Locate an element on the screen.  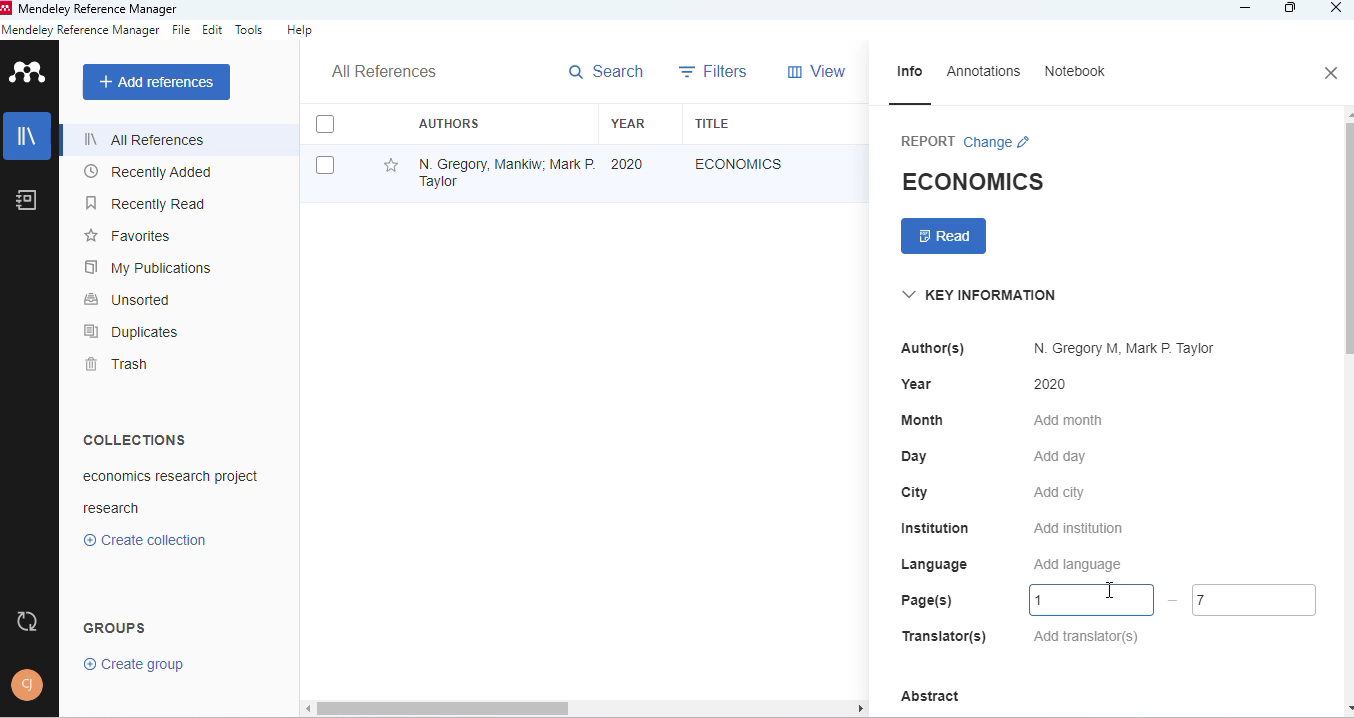
add city is located at coordinates (1060, 493).